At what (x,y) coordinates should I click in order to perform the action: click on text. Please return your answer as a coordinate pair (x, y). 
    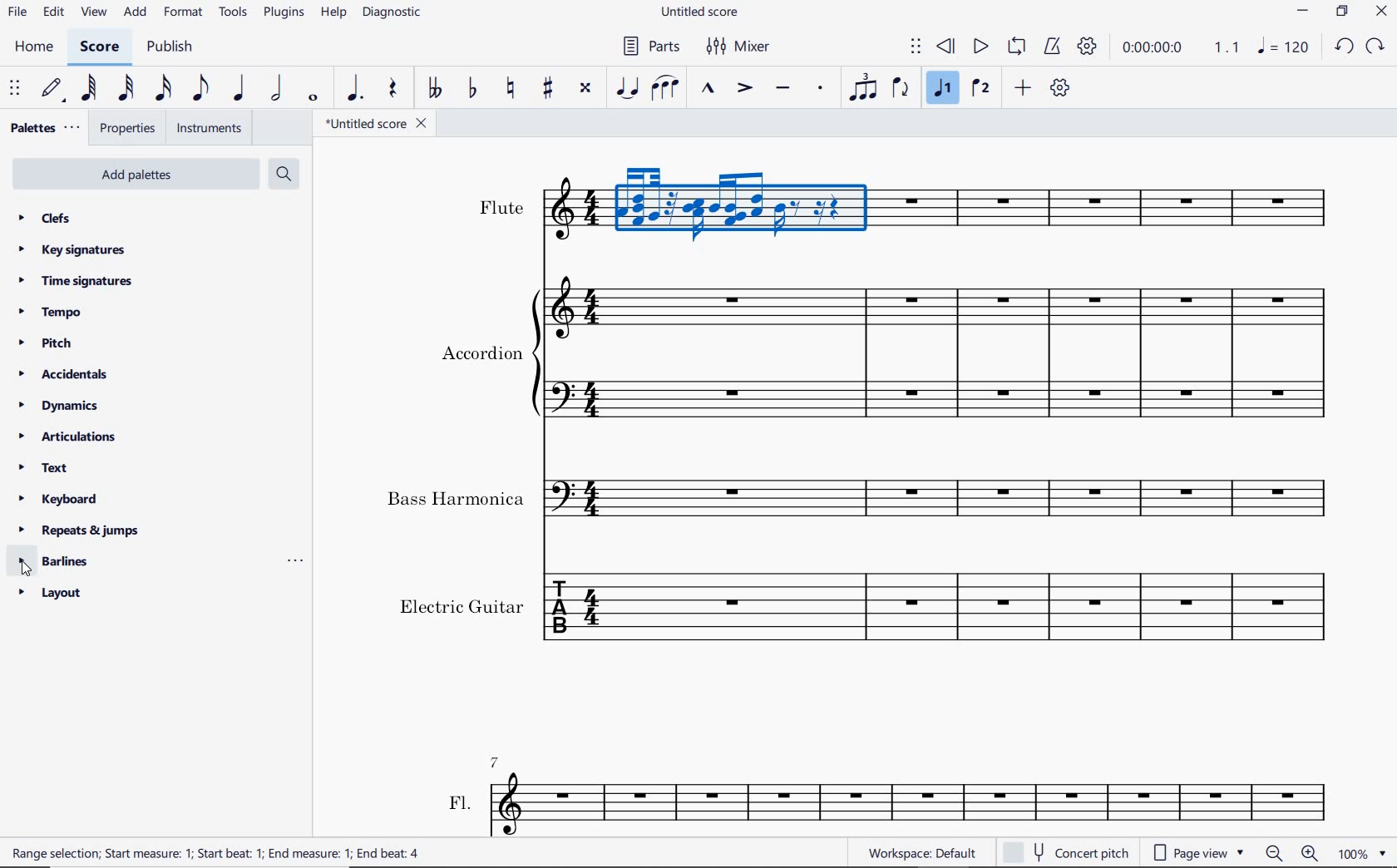
    Looking at the image, I should click on (456, 499).